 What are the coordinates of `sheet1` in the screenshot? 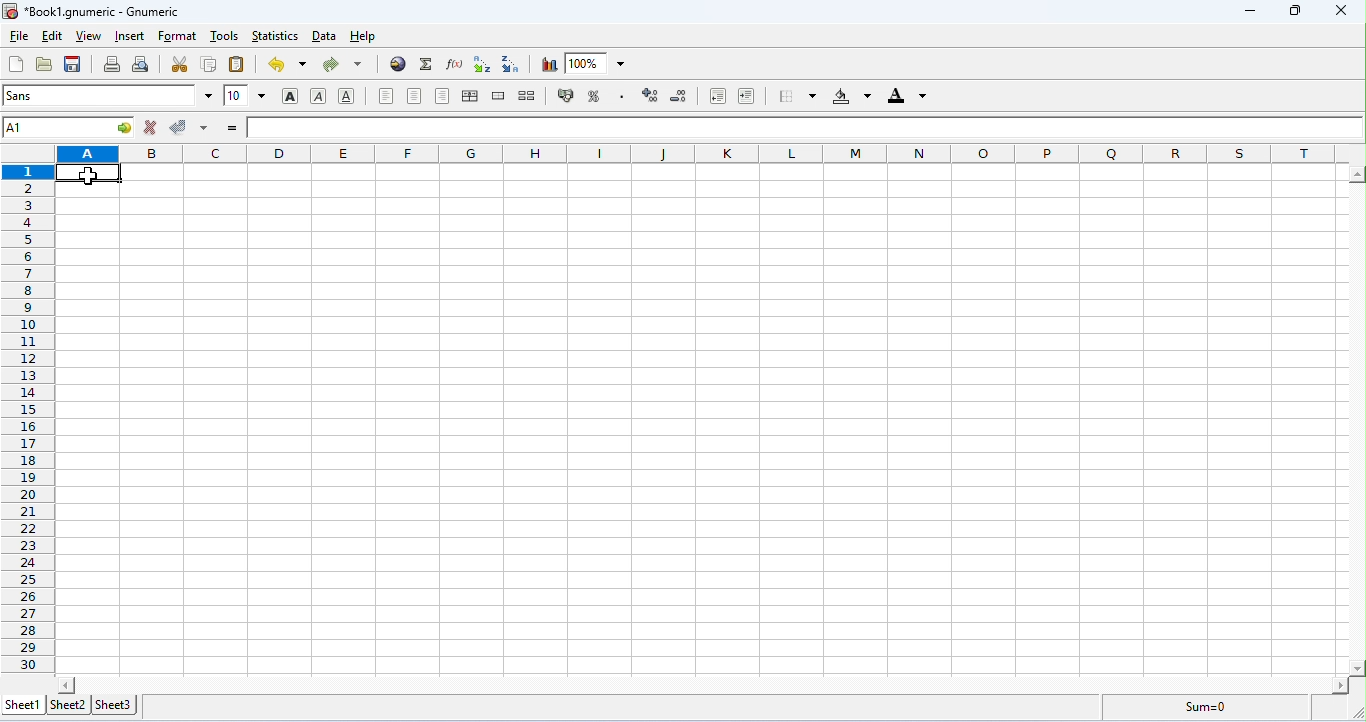 It's located at (23, 703).